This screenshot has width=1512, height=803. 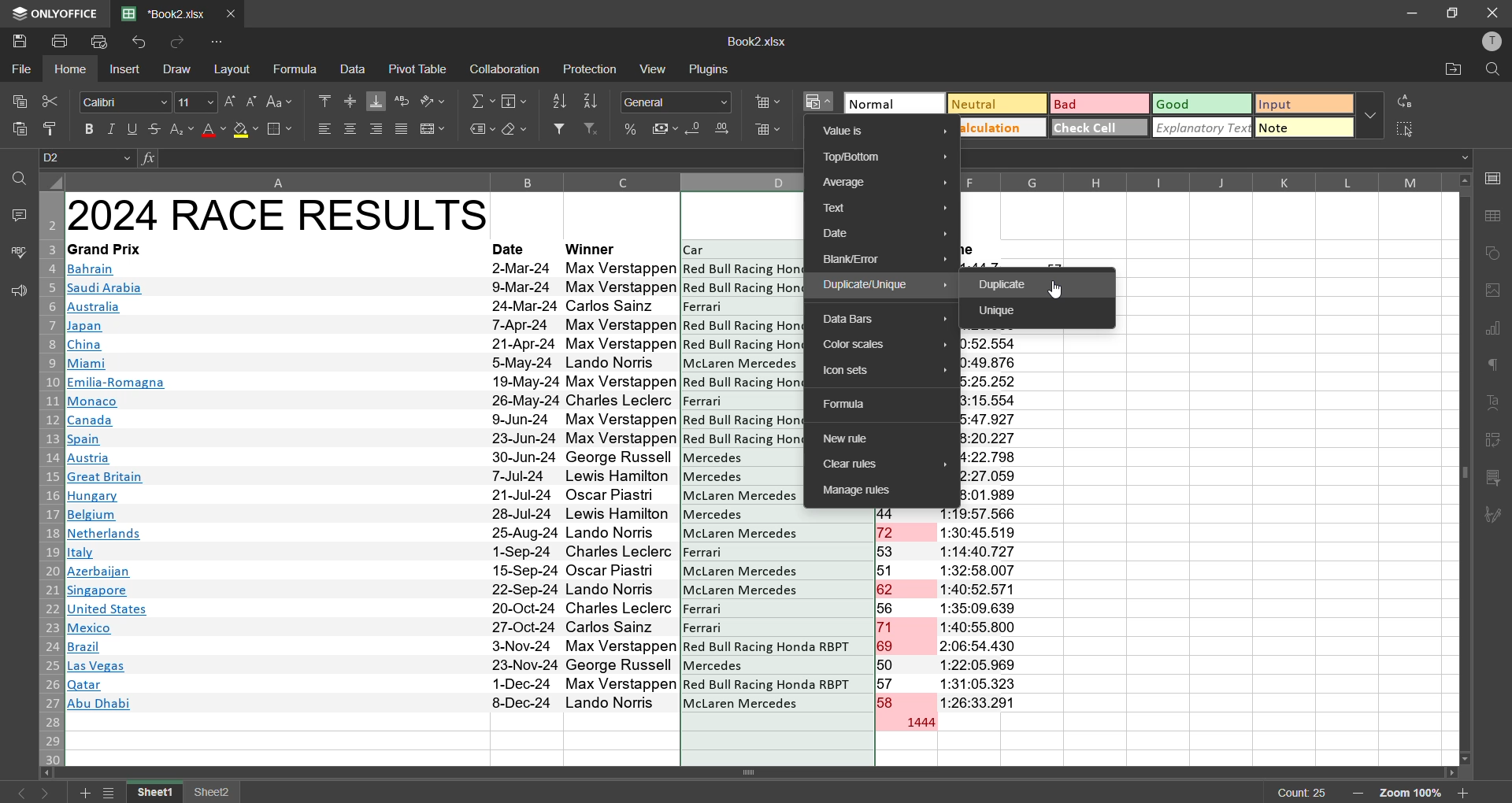 I want to click on increment size, so click(x=230, y=102).